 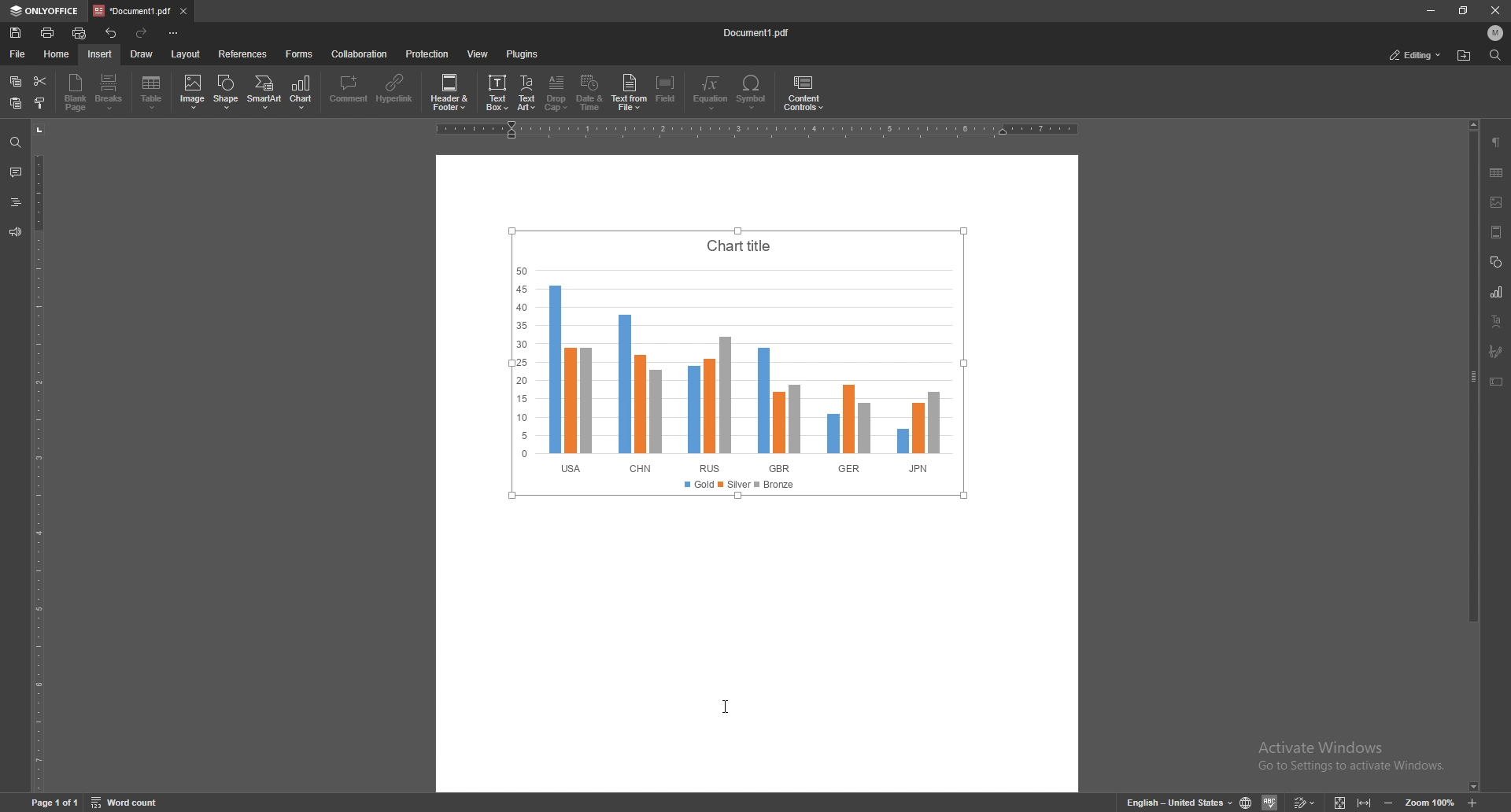 I want to click on find location, so click(x=1465, y=55).